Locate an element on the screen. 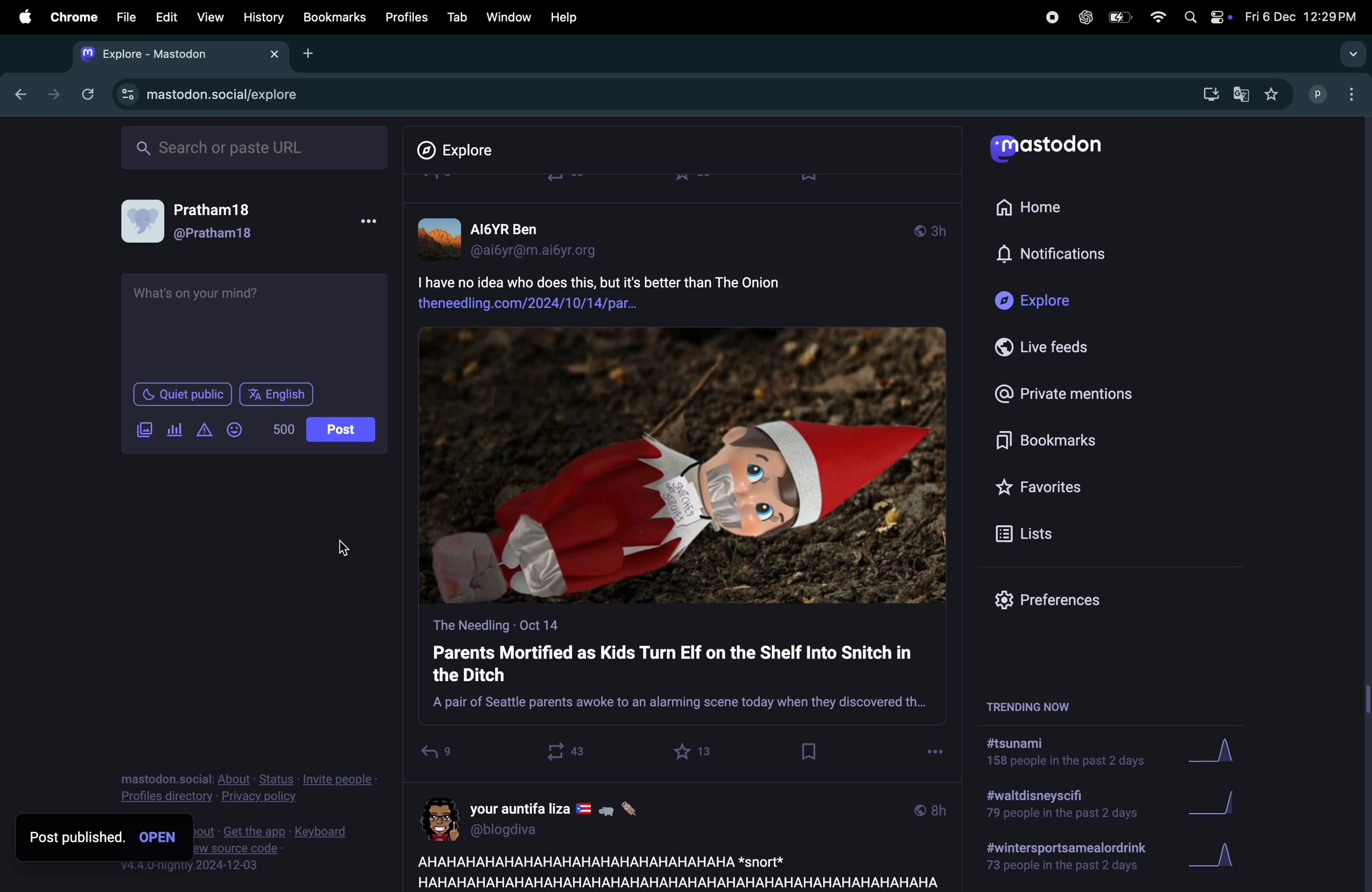  graph is located at coordinates (1218, 806).